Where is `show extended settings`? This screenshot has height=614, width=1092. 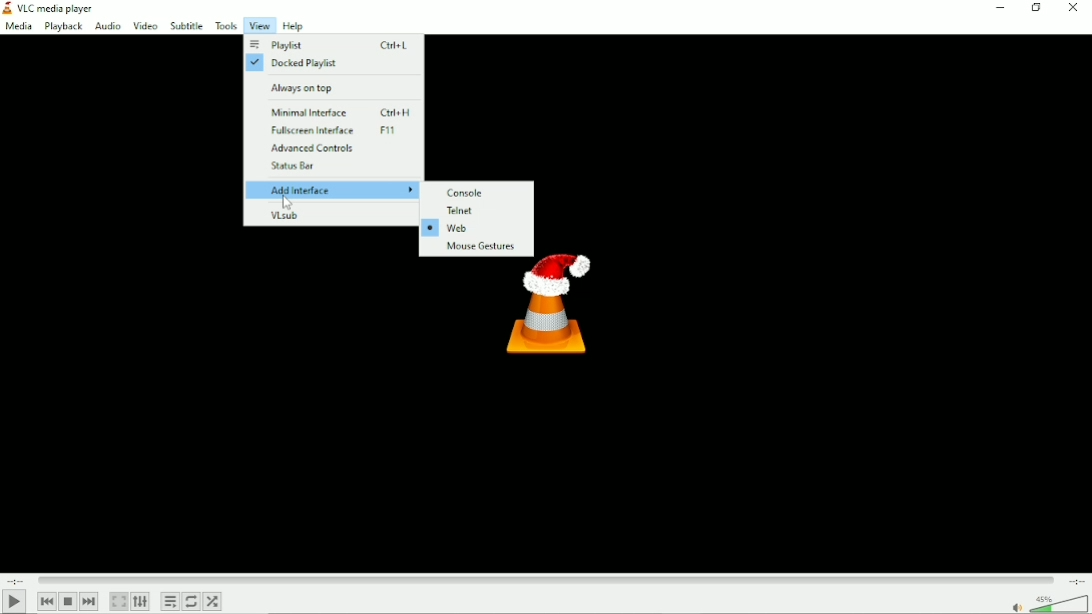
show extended settings is located at coordinates (141, 602).